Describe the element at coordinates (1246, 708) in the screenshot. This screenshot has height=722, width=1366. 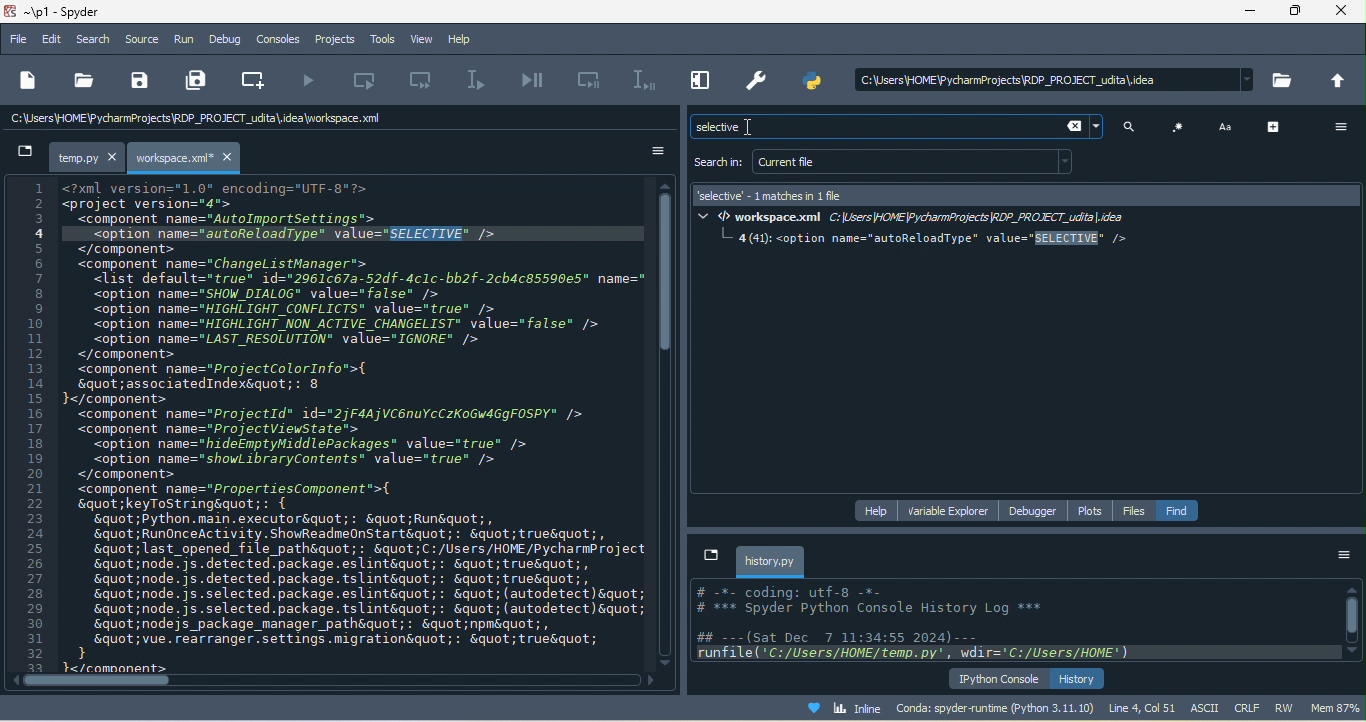
I see `crlf` at that location.